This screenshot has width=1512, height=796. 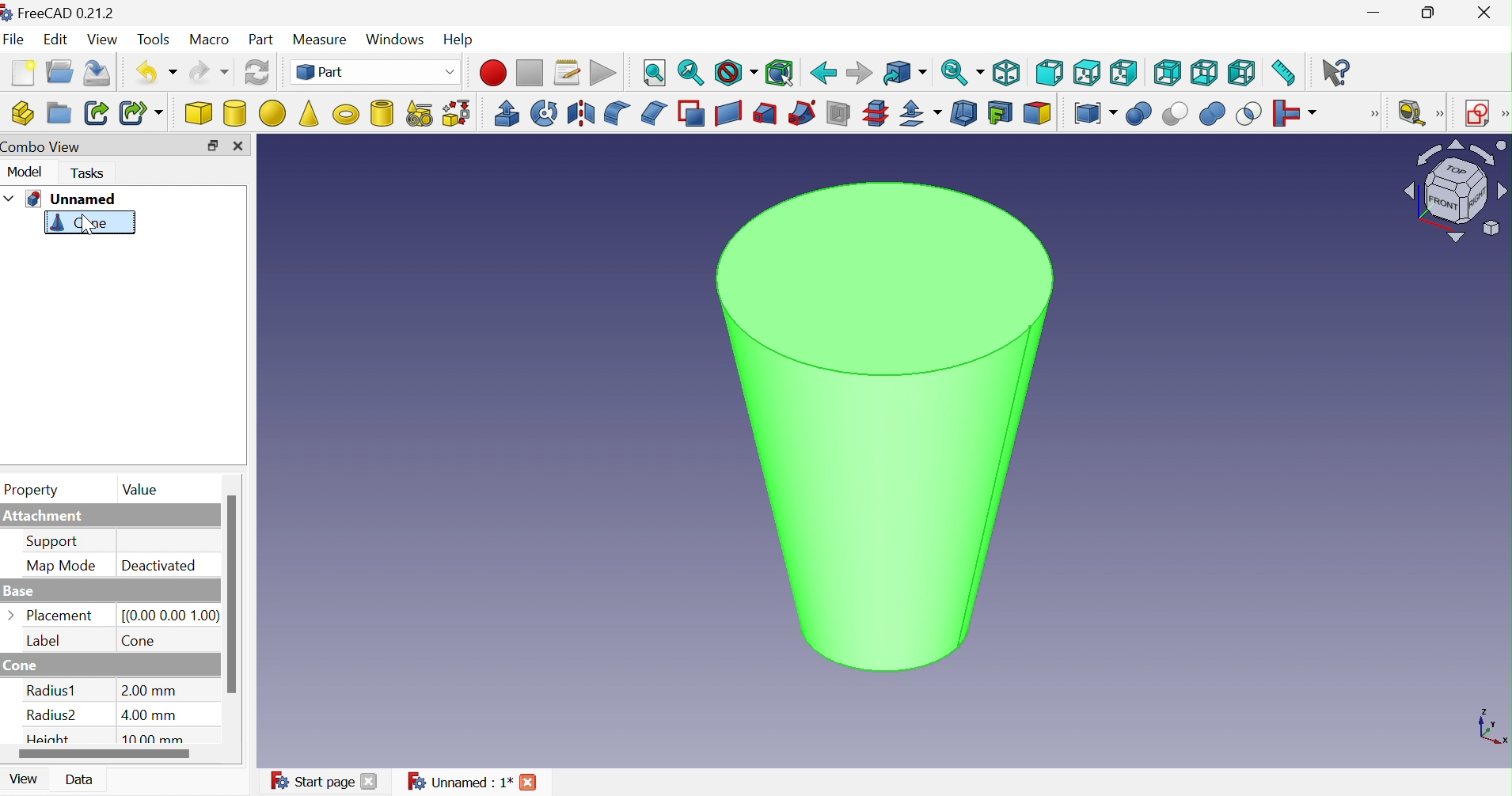 What do you see at coordinates (158, 739) in the screenshot?
I see `10.00 mm` at bounding box center [158, 739].